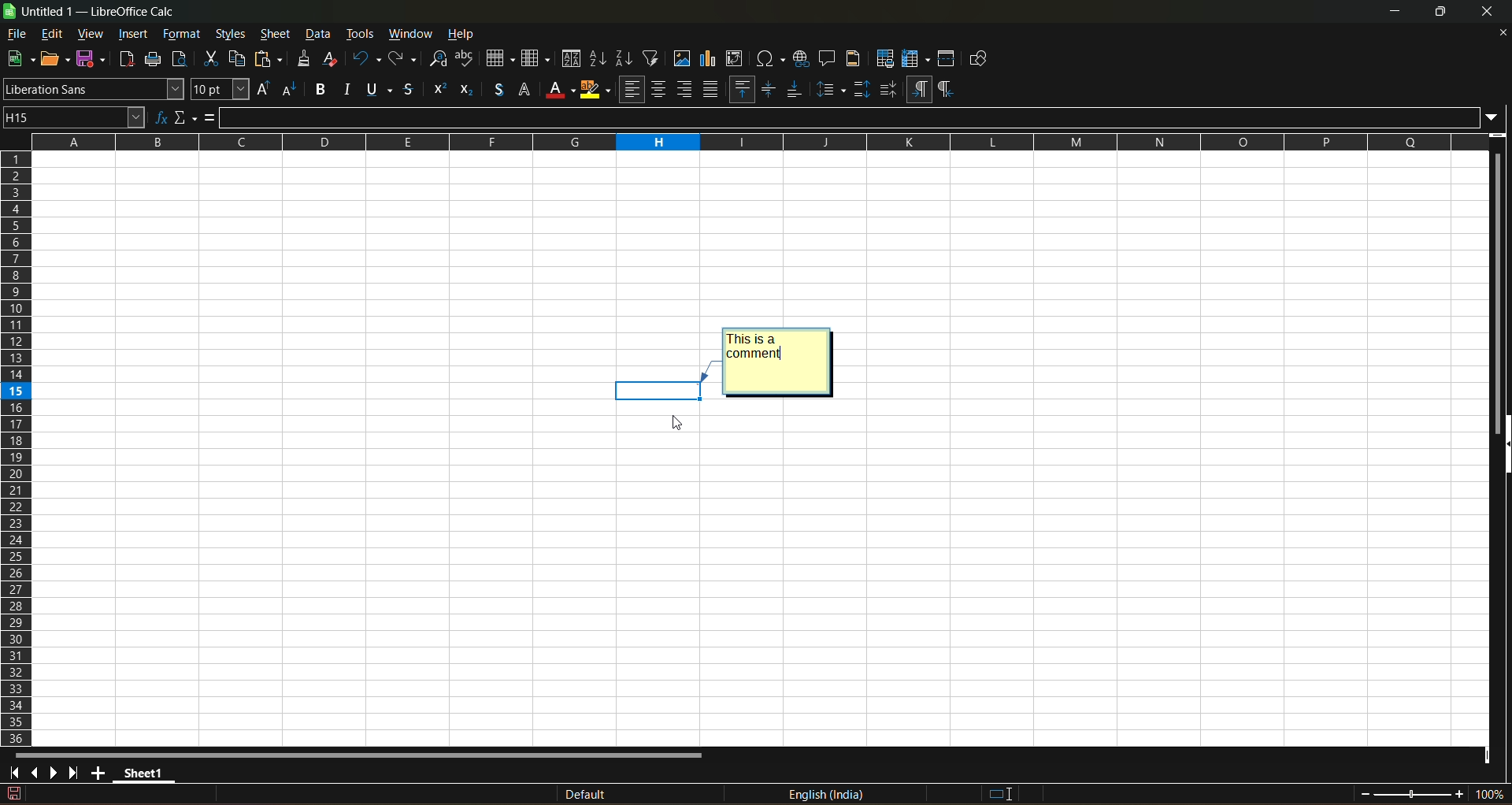  What do you see at coordinates (182, 59) in the screenshot?
I see `toggle print view` at bounding box center [182, 59].